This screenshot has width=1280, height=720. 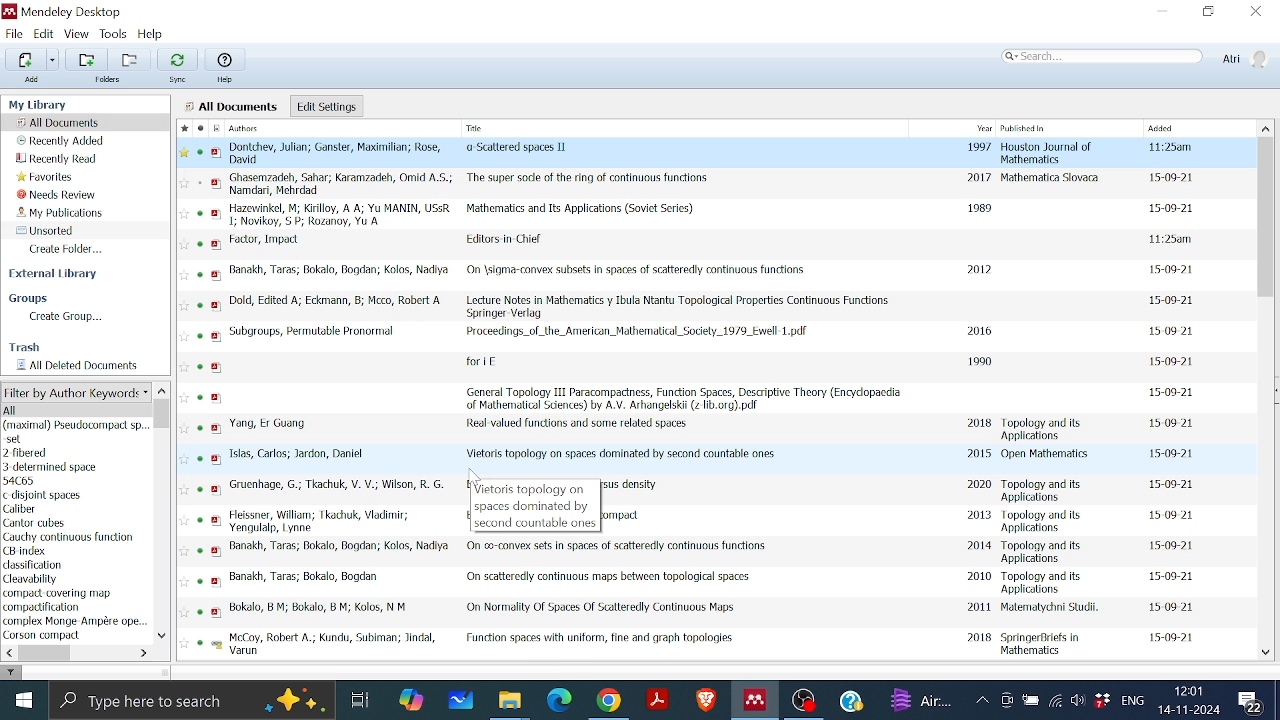 I want to click on favourite, so click(x=182, y=184).